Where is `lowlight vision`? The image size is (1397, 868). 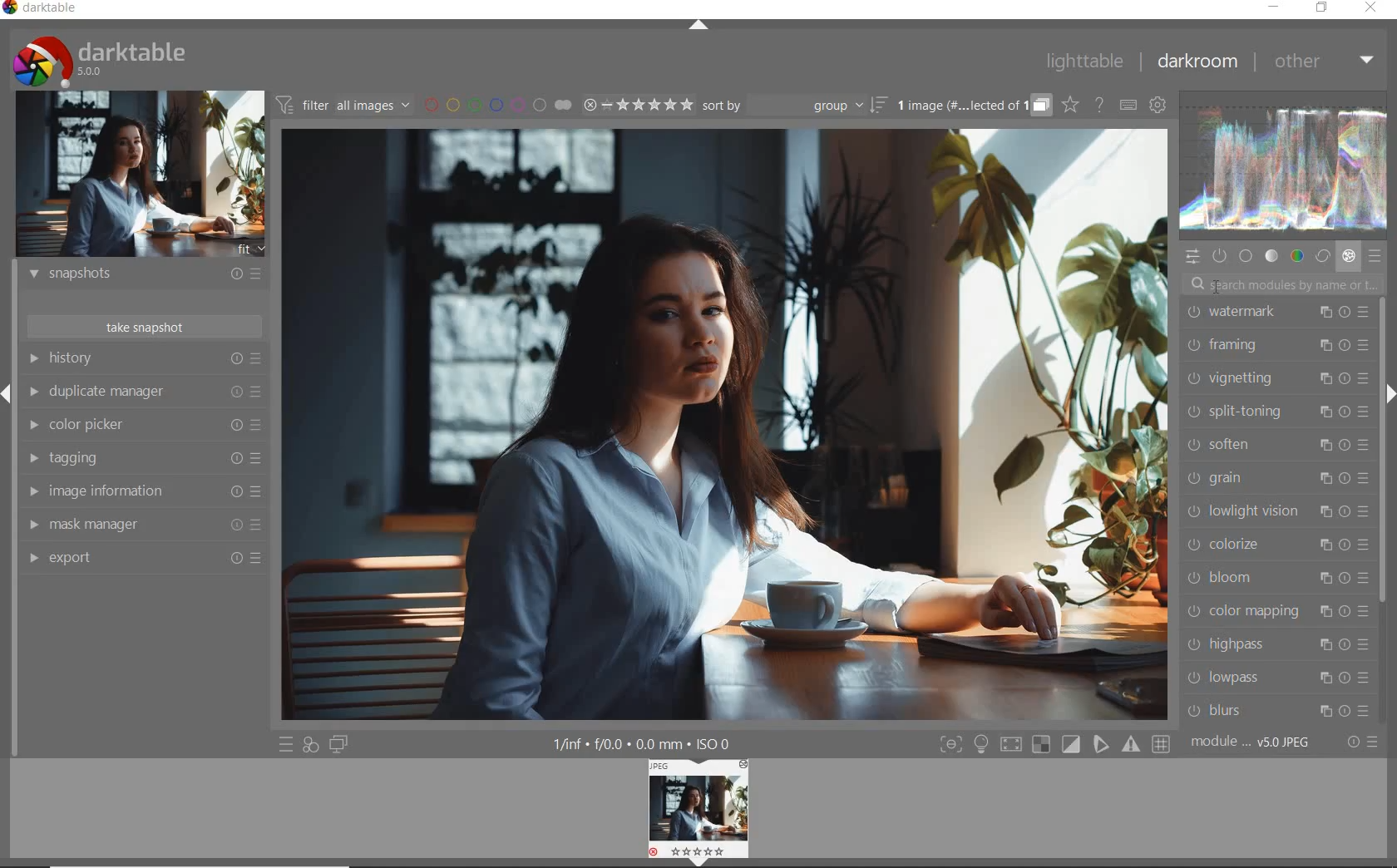
lowlight vision is located at coordinates (1274, 510).